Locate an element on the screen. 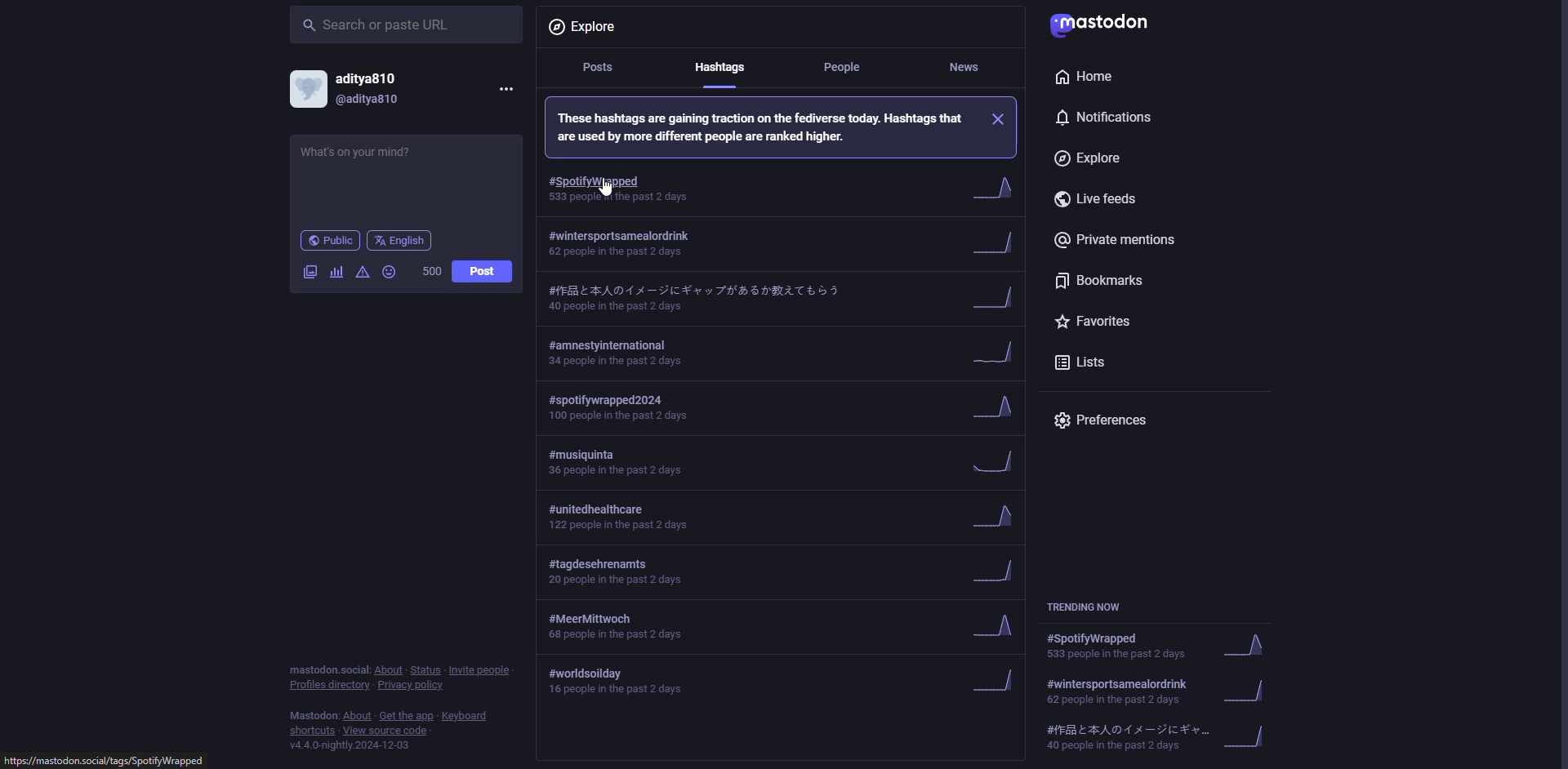 Image resolution: width=1568 pixels, height=769 pixels. hashtag is located at coordinates (644, 188).